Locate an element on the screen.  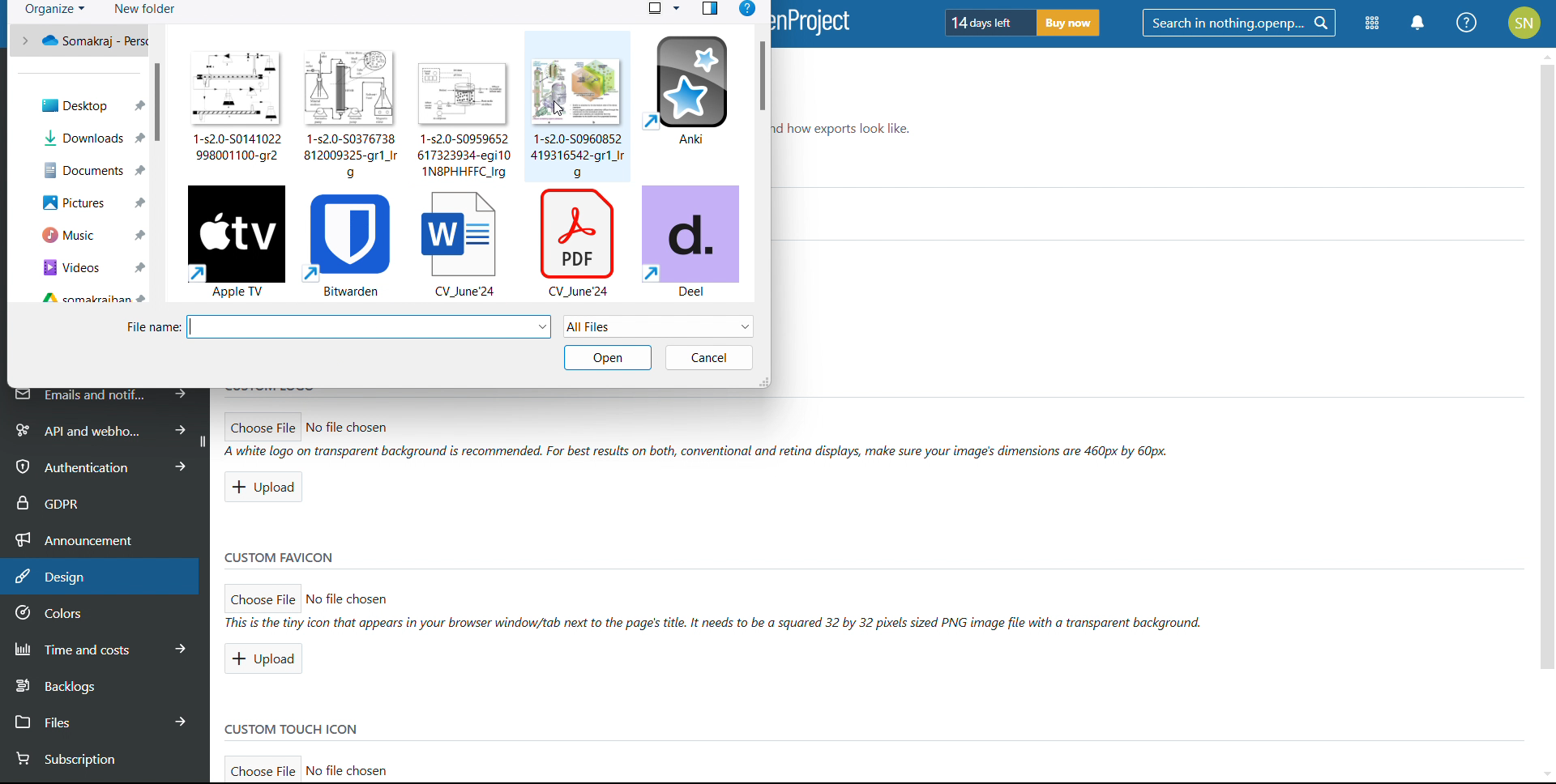
Bitwarden file in folder is located at coordinates (357, 247).